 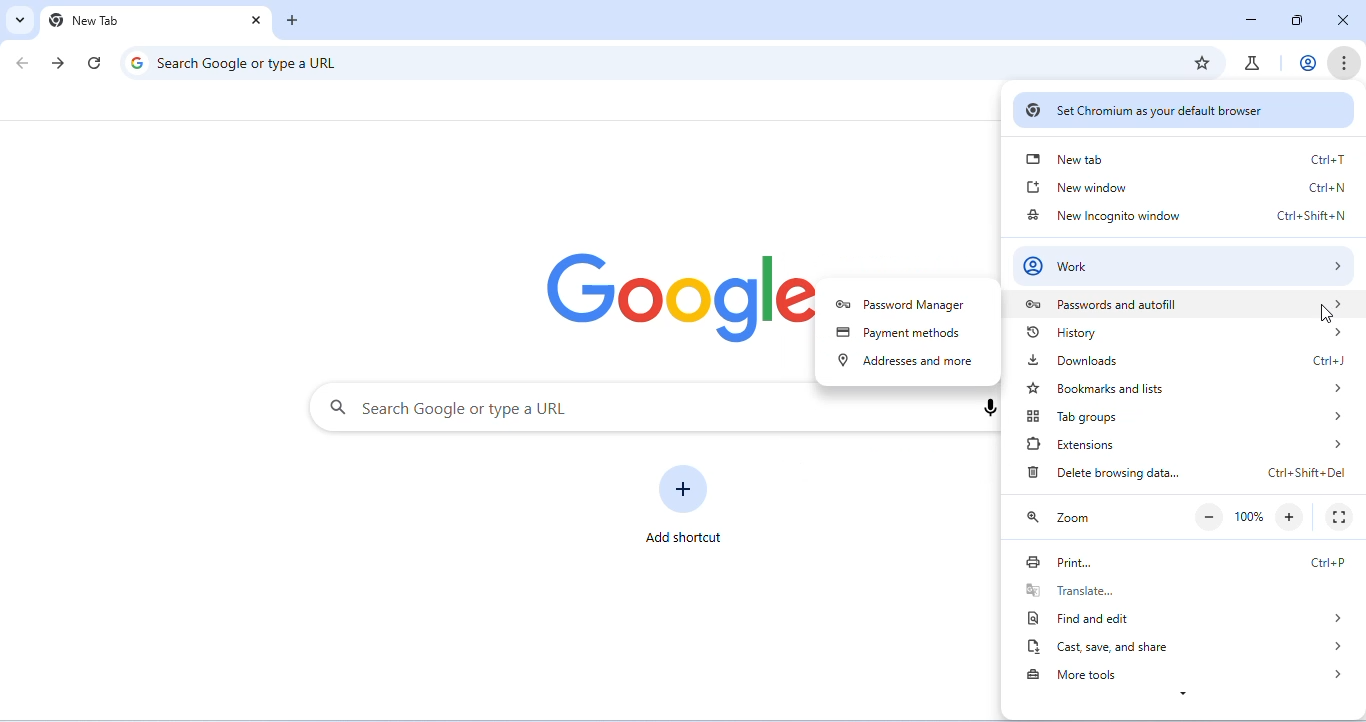 I want to click on add shortcut, so click(x=686, y=501).